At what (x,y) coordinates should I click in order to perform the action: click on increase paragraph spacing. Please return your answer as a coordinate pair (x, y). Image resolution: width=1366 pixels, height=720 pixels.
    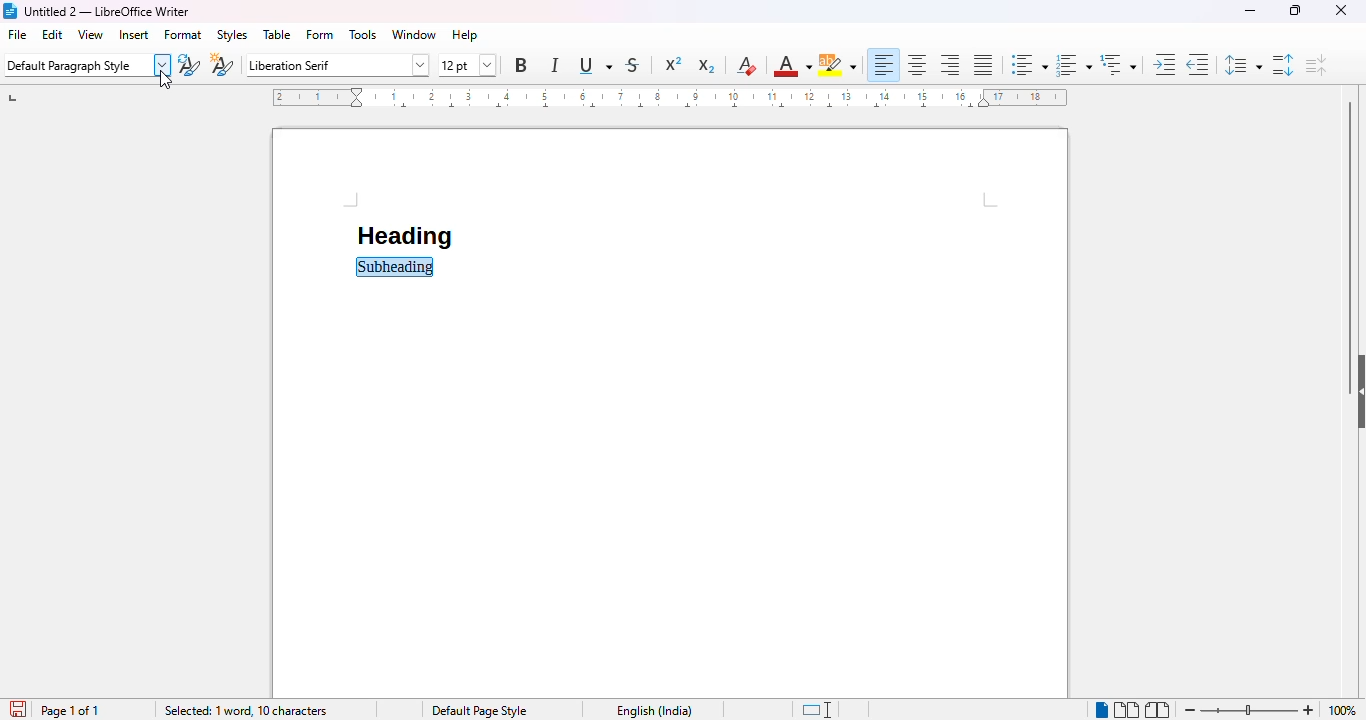
    Looking at the image, I should click on (1283, 65).